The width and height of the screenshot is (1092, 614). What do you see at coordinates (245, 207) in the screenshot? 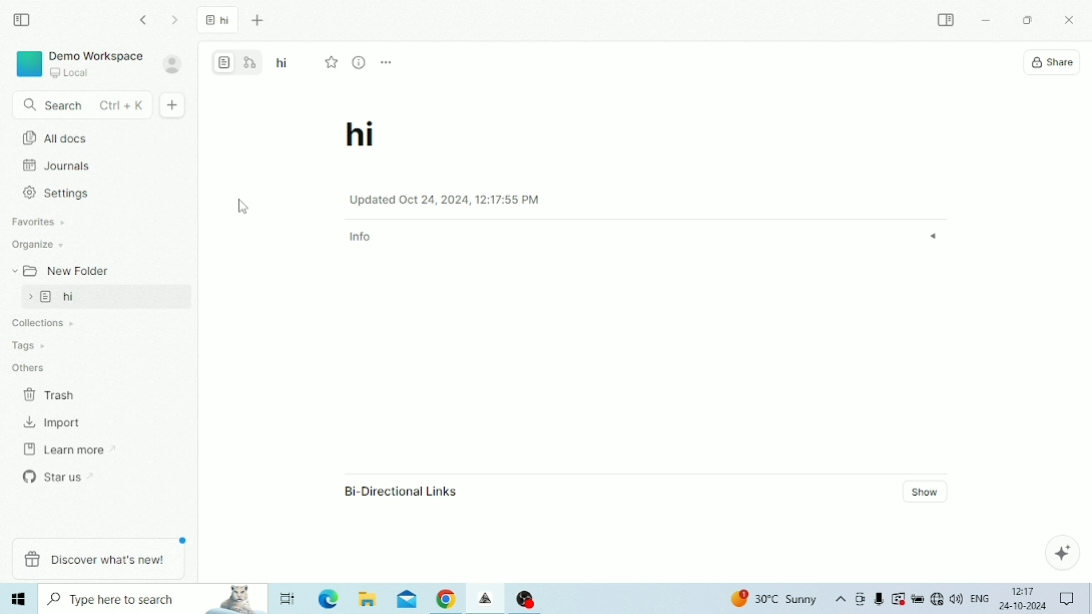
I see `Cursor` at bounding box center [245, 207].